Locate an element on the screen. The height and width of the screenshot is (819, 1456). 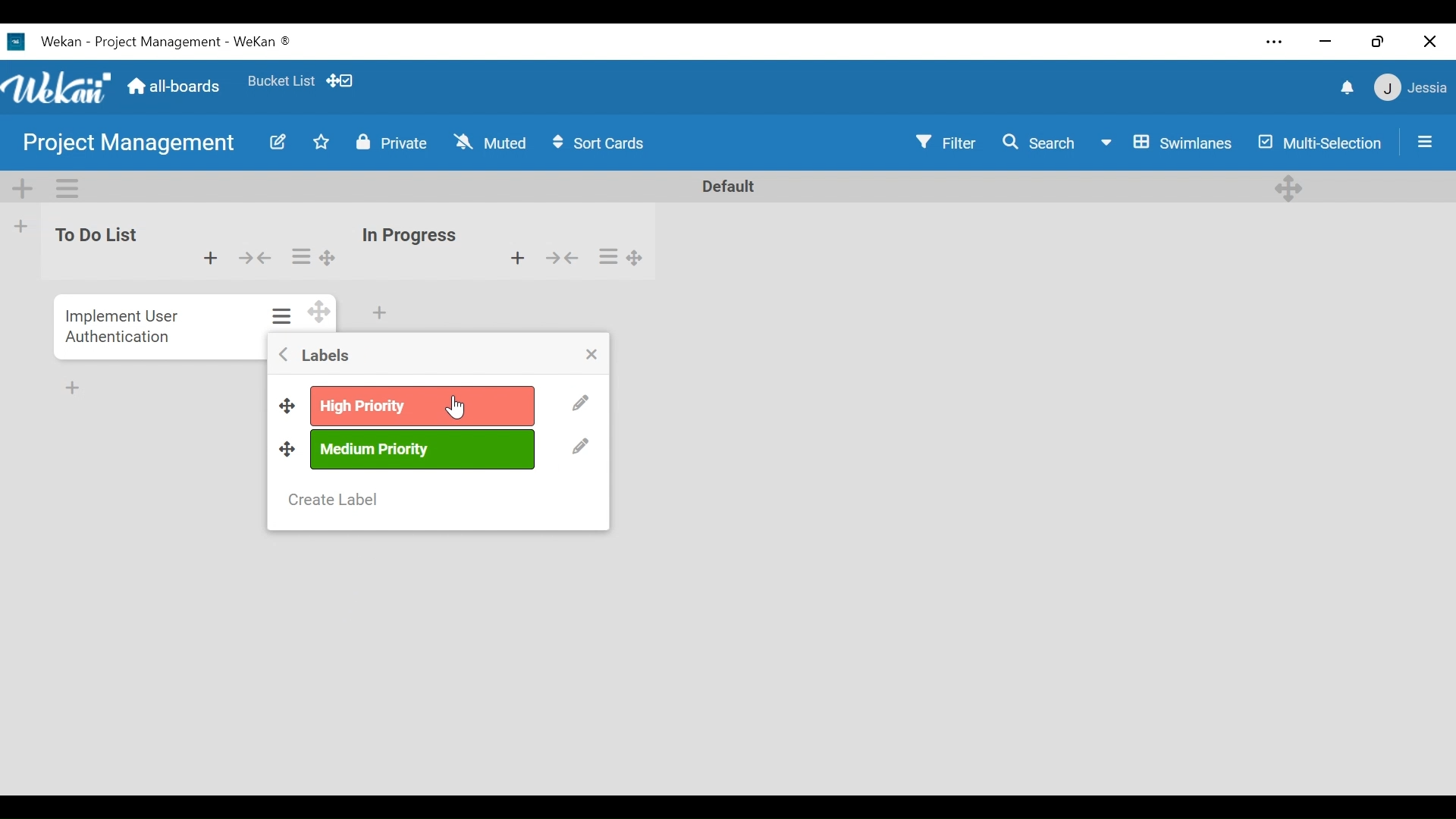
Close is located at coordinates (1427, 42).